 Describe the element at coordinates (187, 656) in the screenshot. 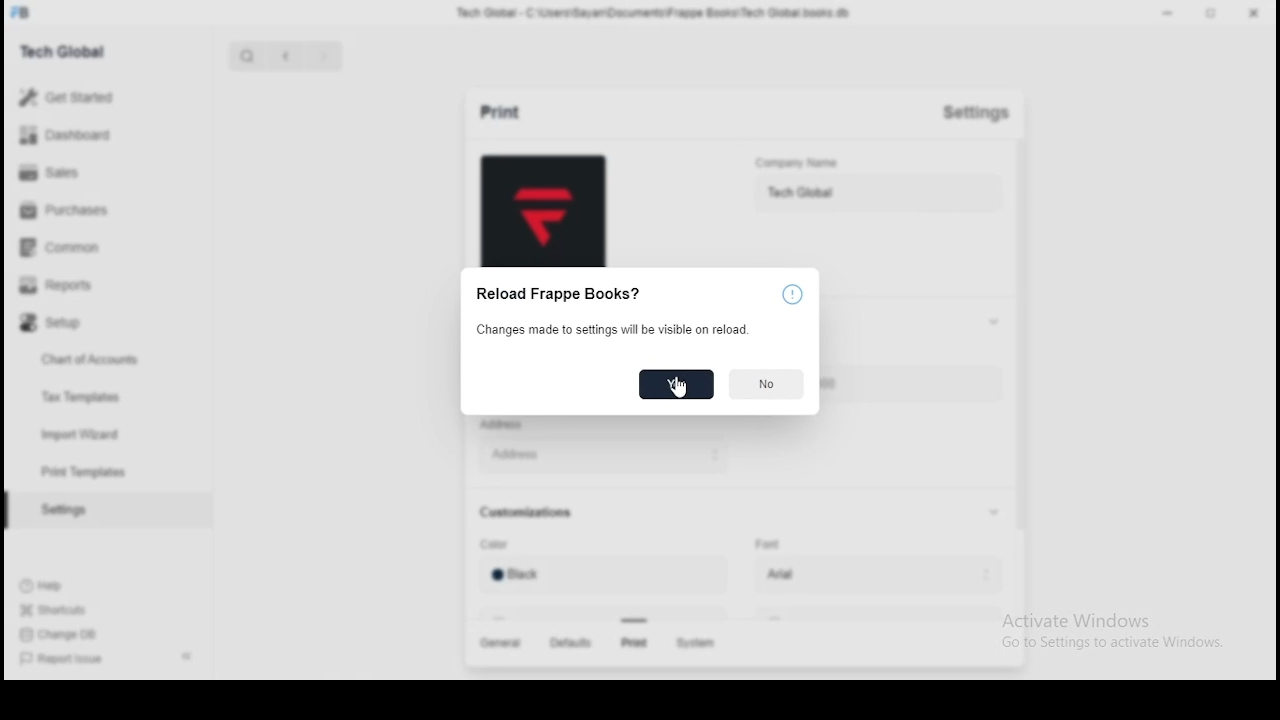

I see `hide sidebar` at that location.